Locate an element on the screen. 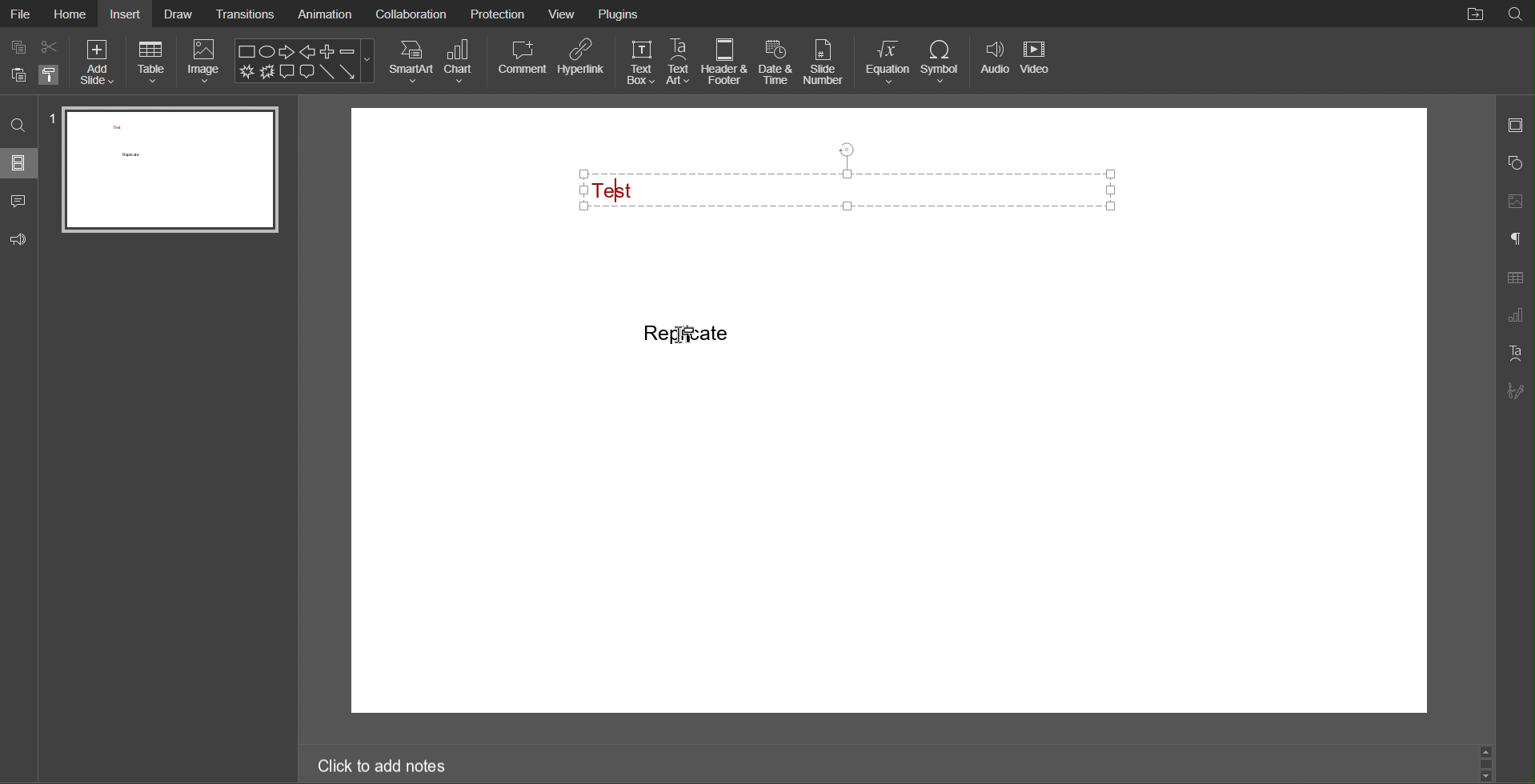 The width and height of the screenshot is (1535, 784). Insert is located at coordinates (128, 14).